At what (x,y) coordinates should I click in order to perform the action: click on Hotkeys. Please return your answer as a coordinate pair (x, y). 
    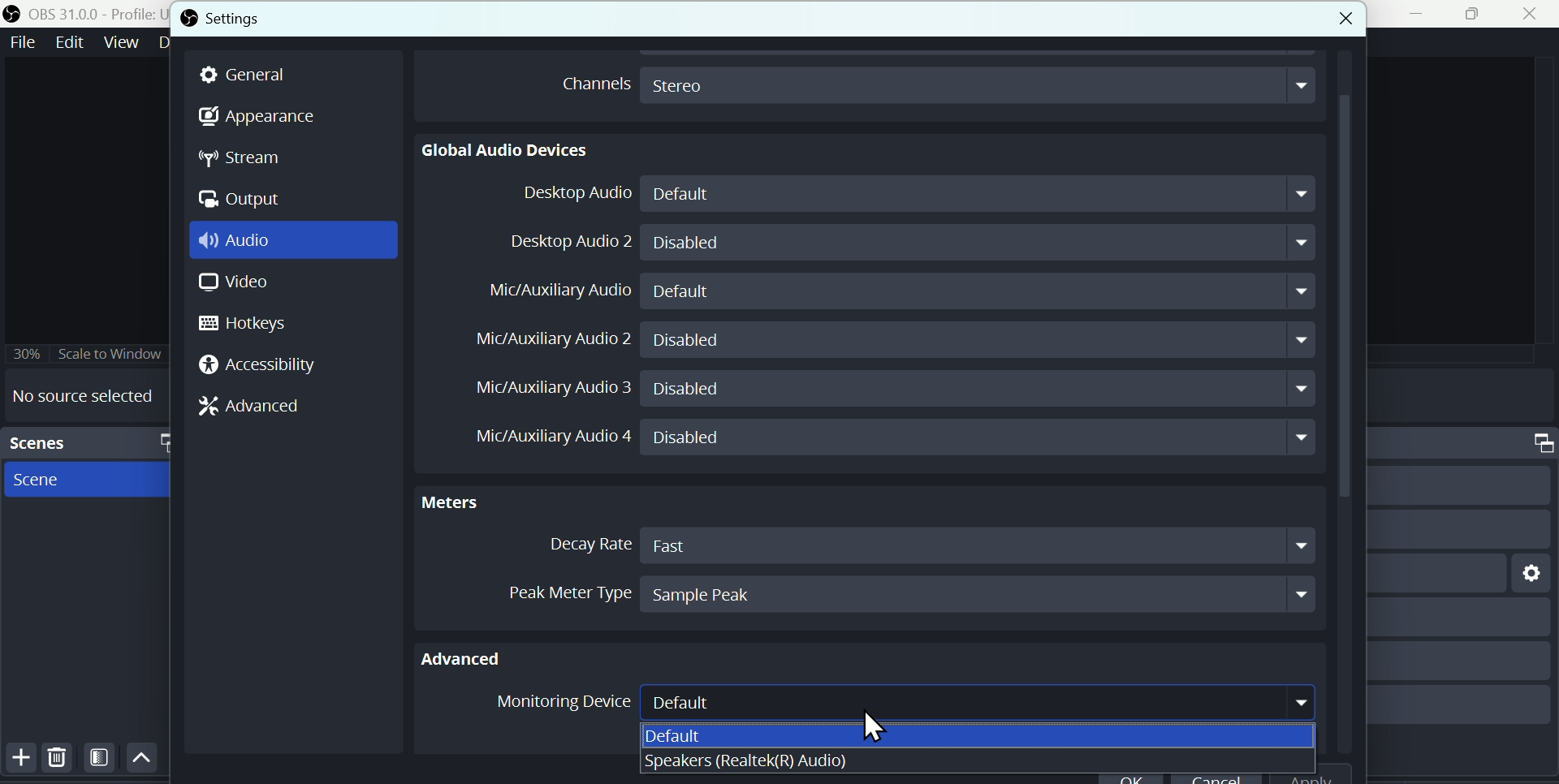
    Looking at the image, I should click on (254, 325).